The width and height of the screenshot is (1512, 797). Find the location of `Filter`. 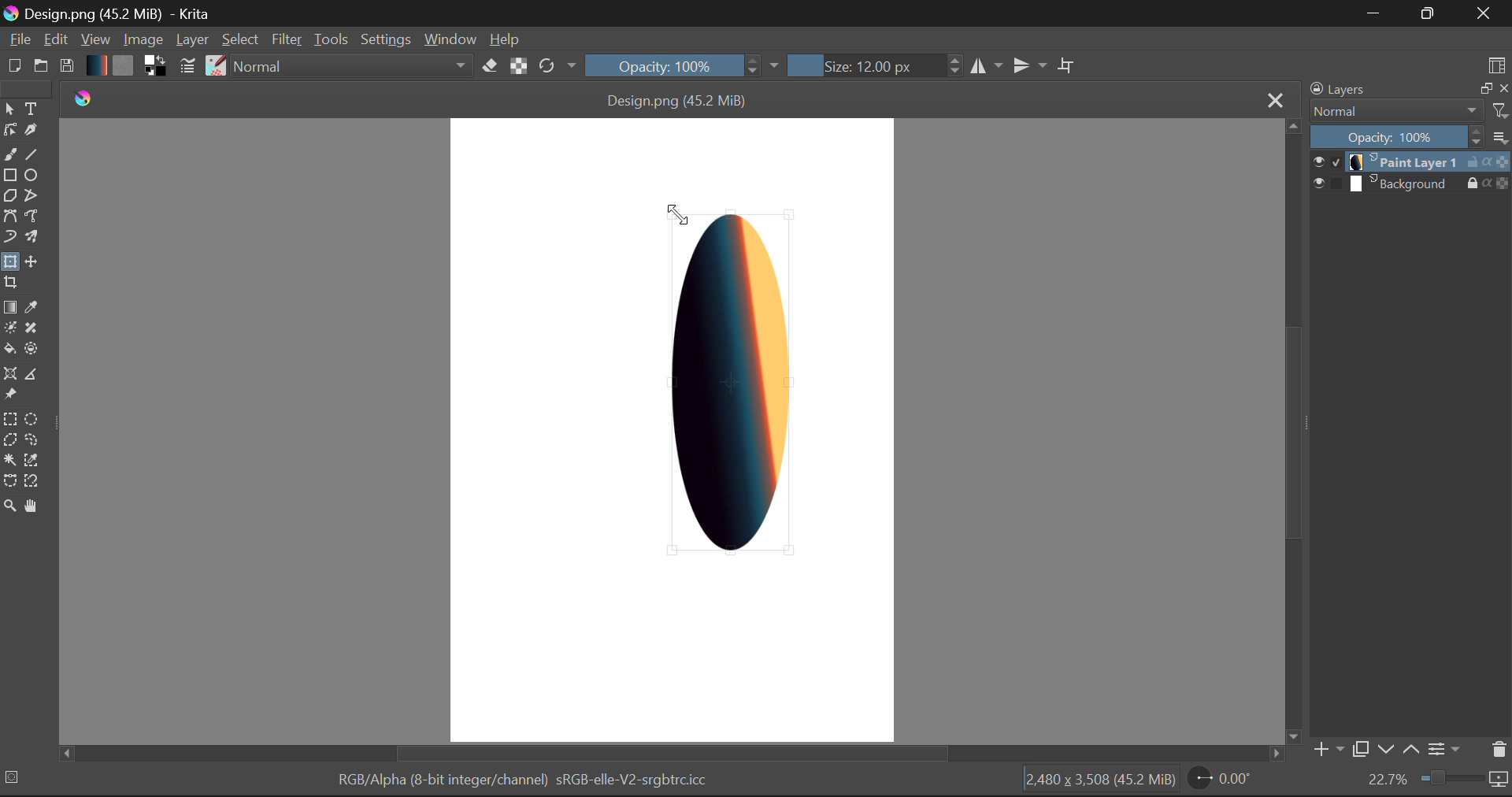

Filter is located at coordinates (287, 39).